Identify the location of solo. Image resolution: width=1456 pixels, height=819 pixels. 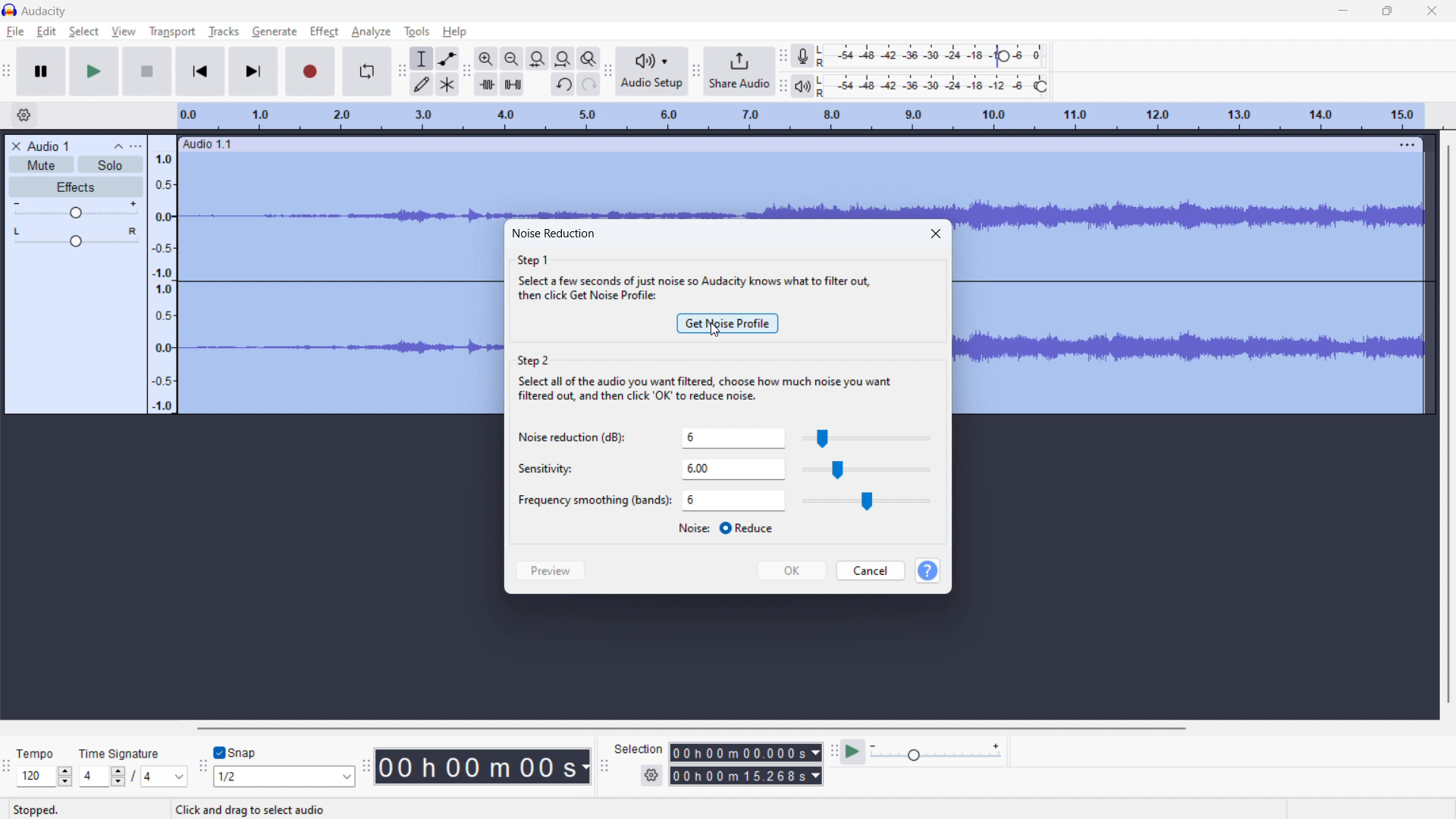
(111, 165).